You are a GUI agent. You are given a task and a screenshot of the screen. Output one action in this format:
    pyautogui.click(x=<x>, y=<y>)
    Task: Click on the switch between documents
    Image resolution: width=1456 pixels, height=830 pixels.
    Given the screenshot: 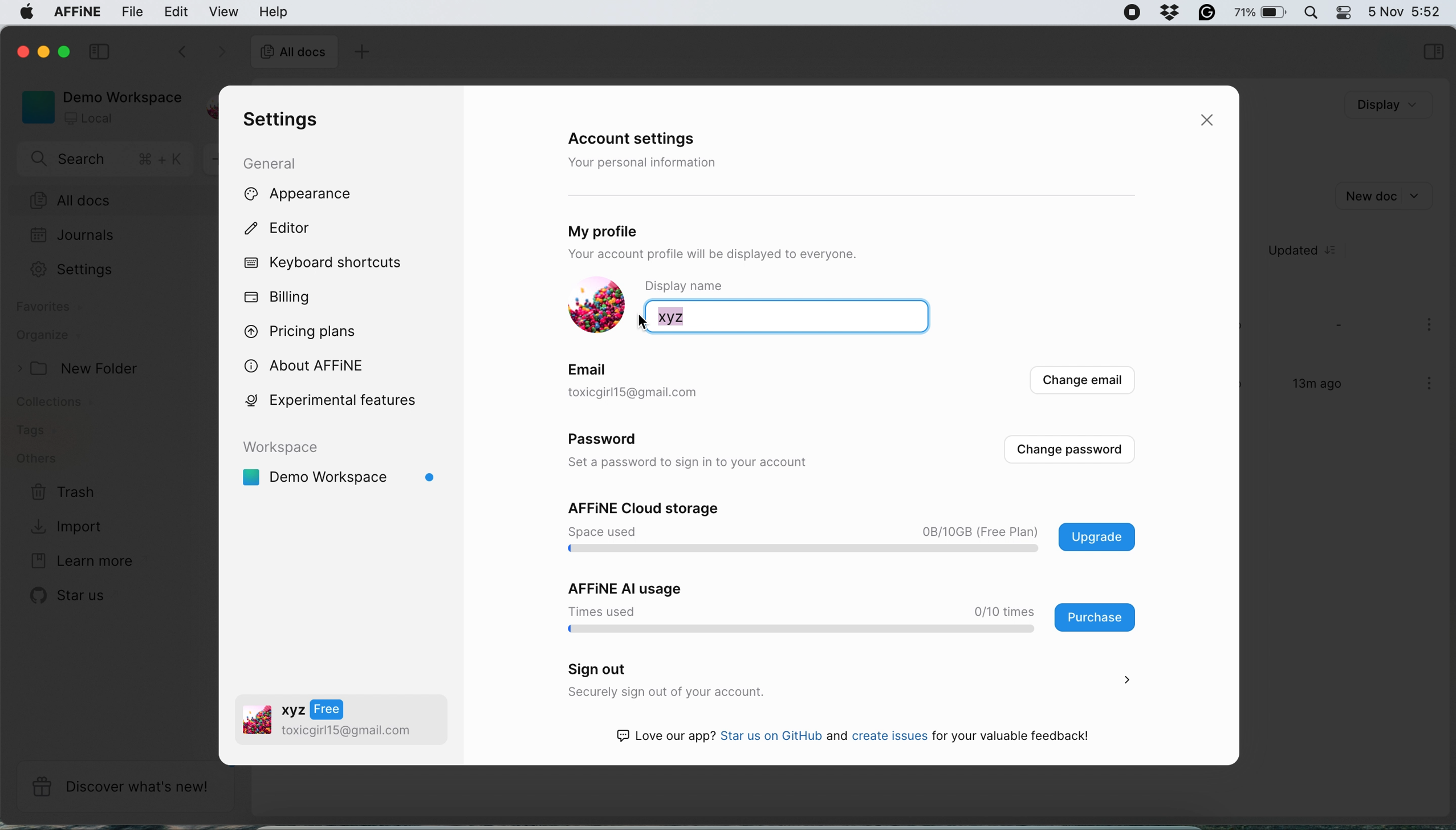 What is the action you would take?
    pyautogui.click(x=199, y=53)
    